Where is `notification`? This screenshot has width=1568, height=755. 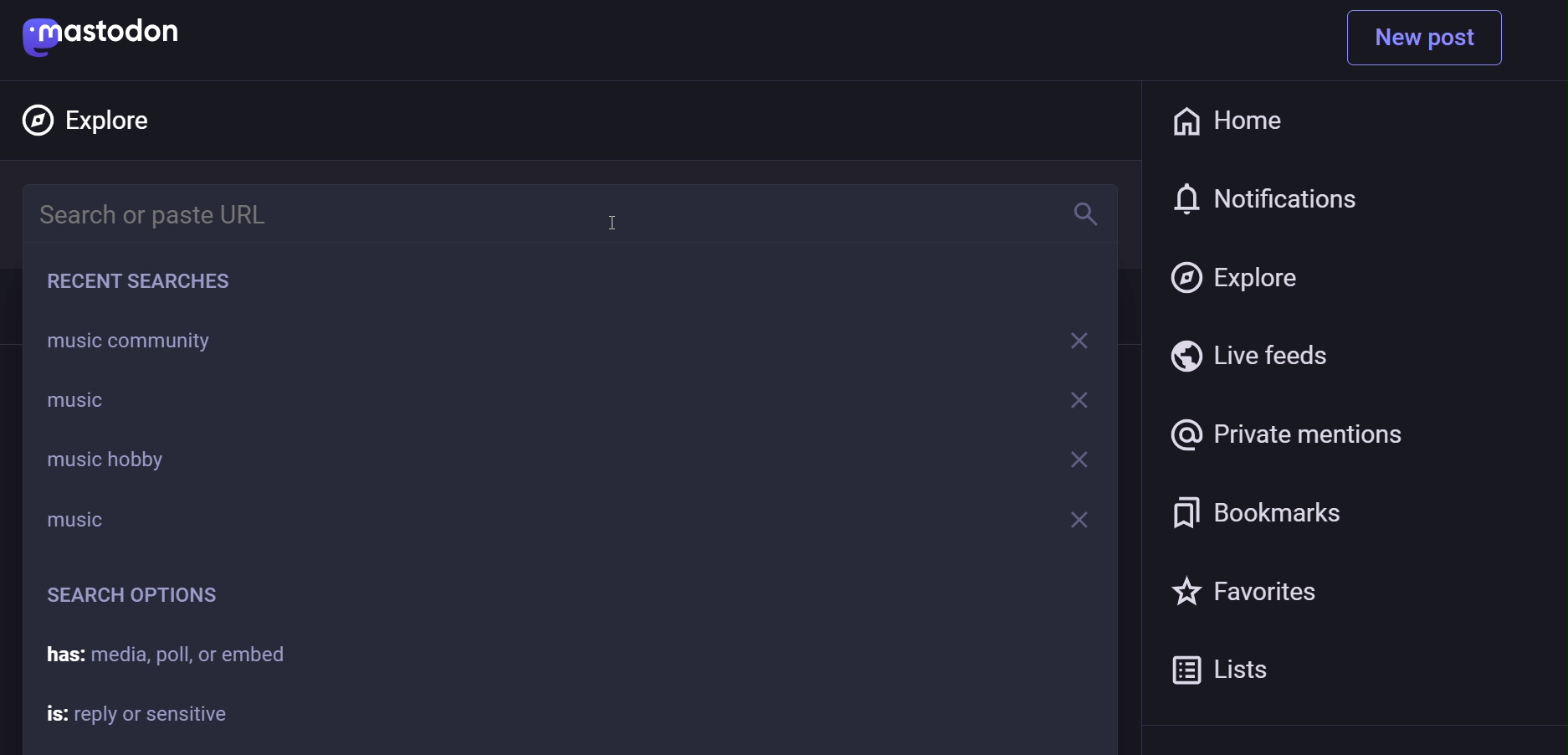
notification is located at coordinates (1266, 201).